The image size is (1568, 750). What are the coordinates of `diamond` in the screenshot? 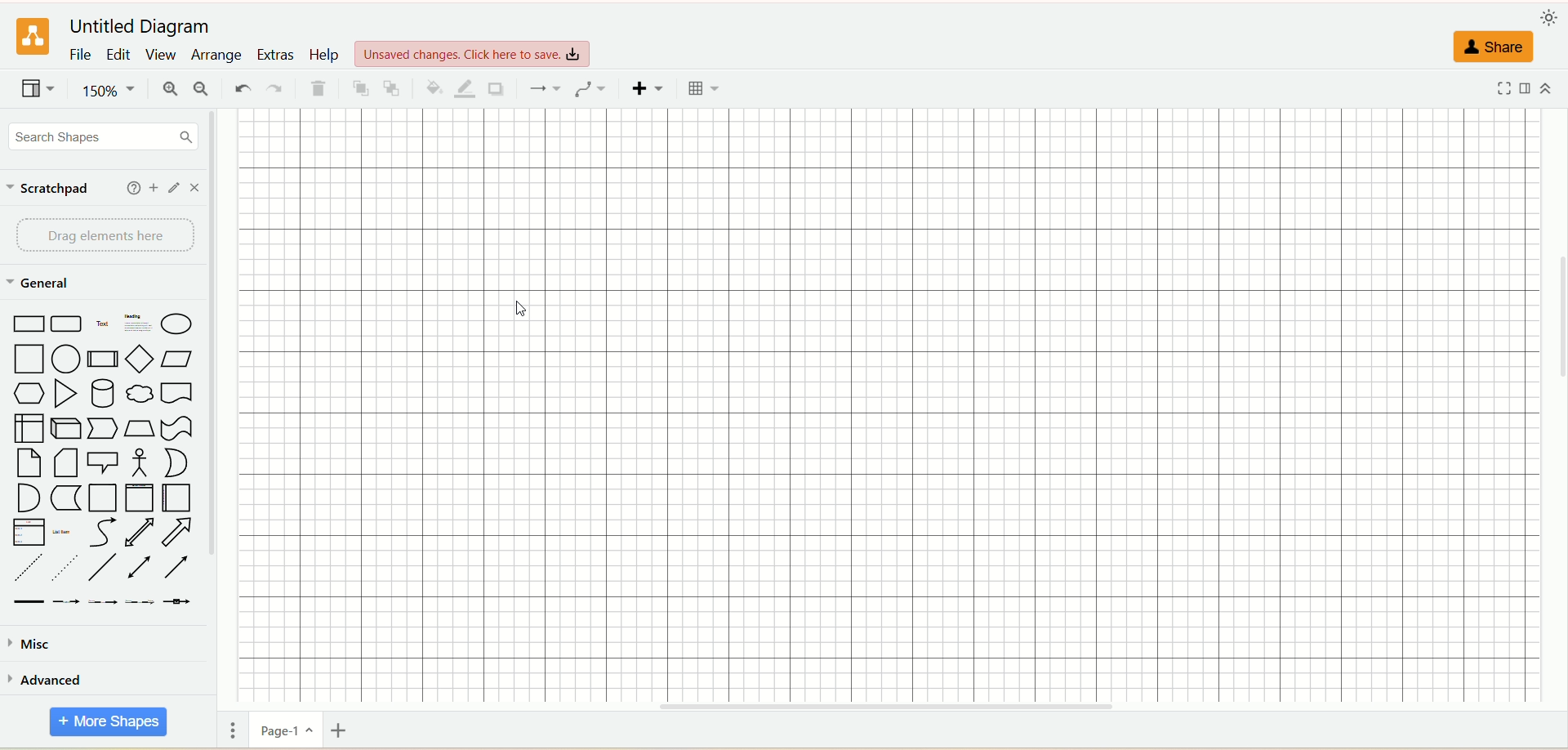 It's located at (138, 358).